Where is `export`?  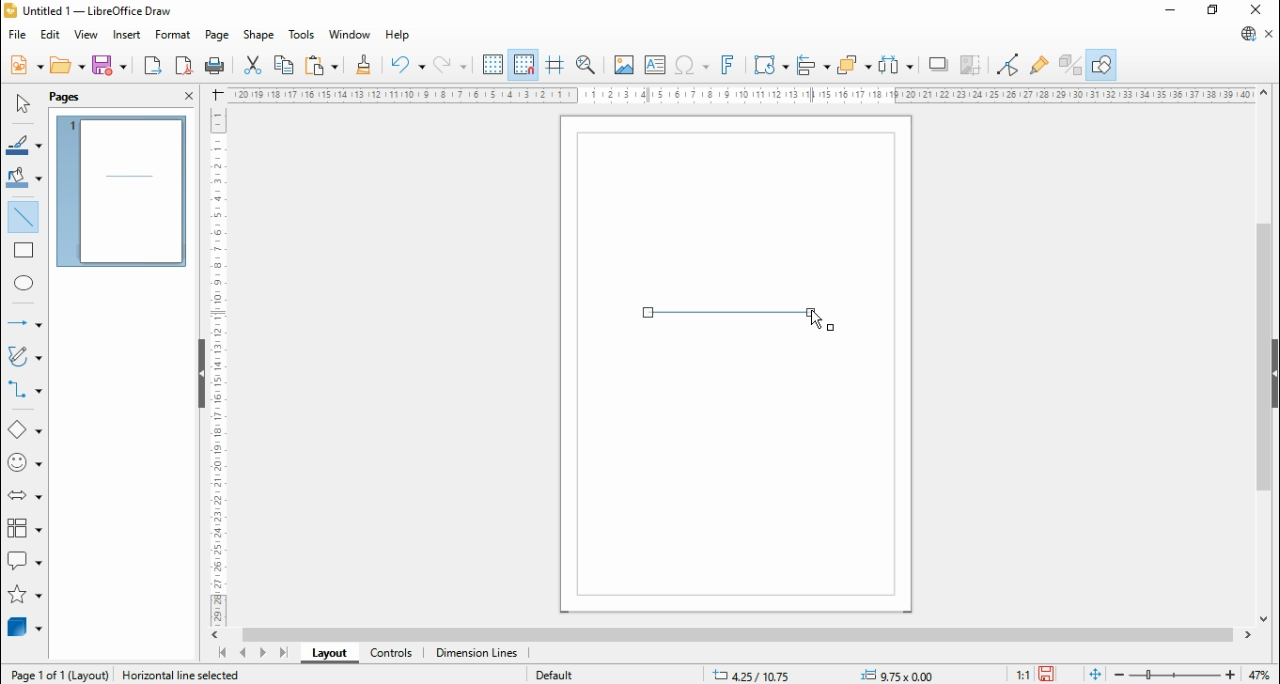
export is located at coordinates (152, 65).